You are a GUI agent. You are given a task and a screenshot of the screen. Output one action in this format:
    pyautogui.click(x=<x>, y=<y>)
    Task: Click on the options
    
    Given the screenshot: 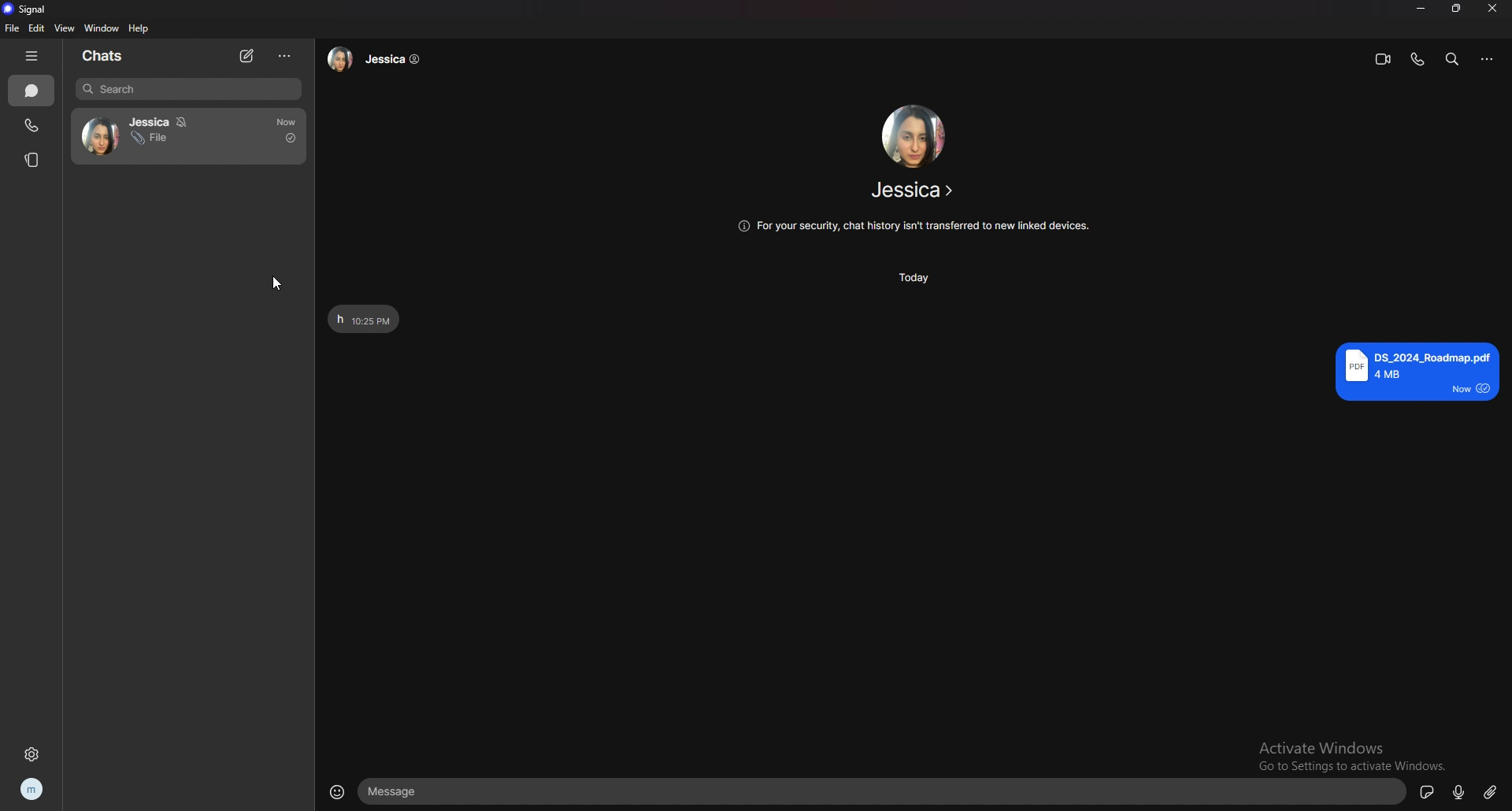 What is the action you would take?
    pyautogui.click(x=1489, y=59)
    